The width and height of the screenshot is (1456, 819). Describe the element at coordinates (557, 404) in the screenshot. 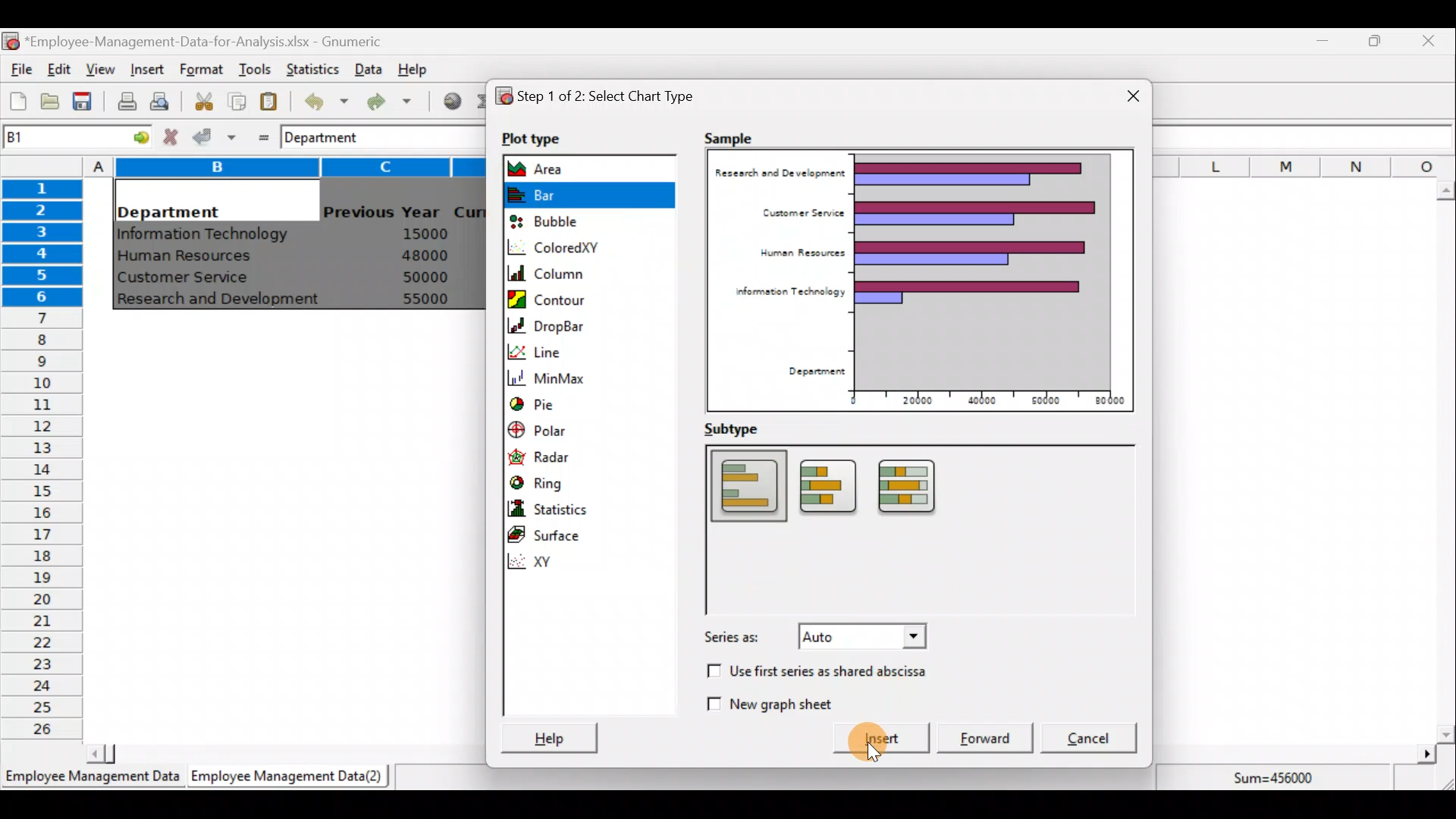

I see `Pie` at that location.